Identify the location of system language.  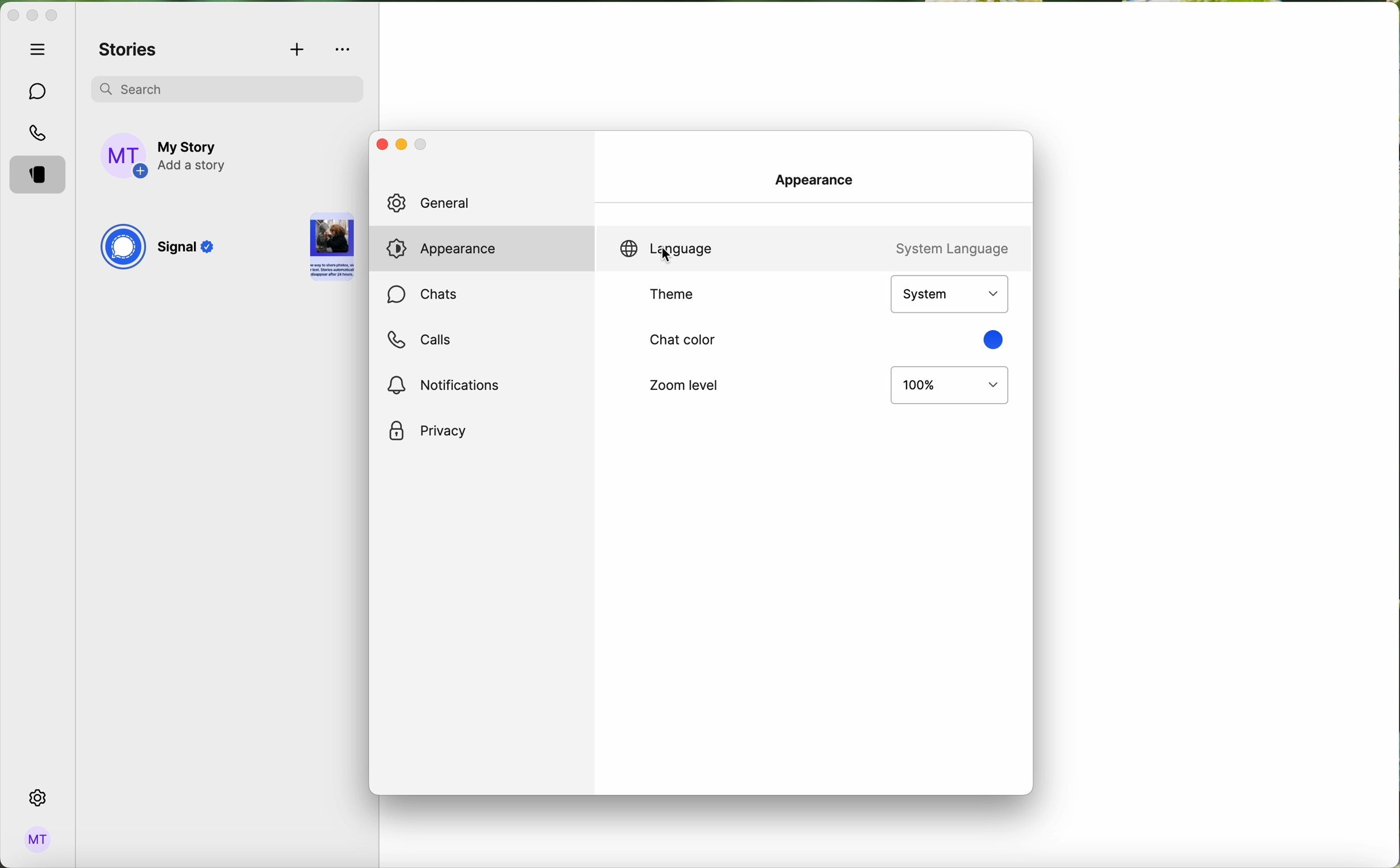
(949, 247).